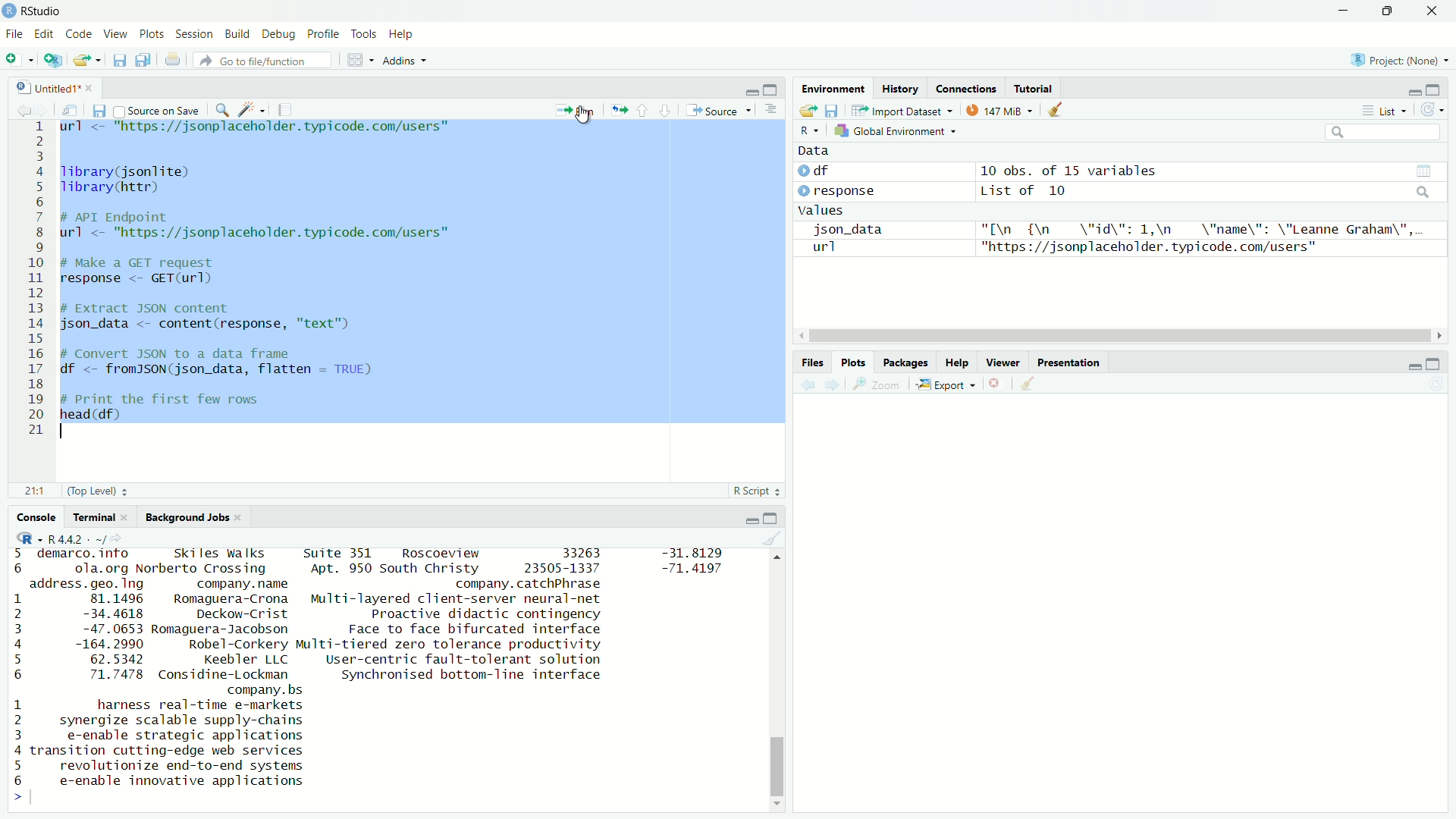  What do you see at coordinates (157, 111) in the screenshot?
I see `Source on Save` at bounding box center [157, 111].